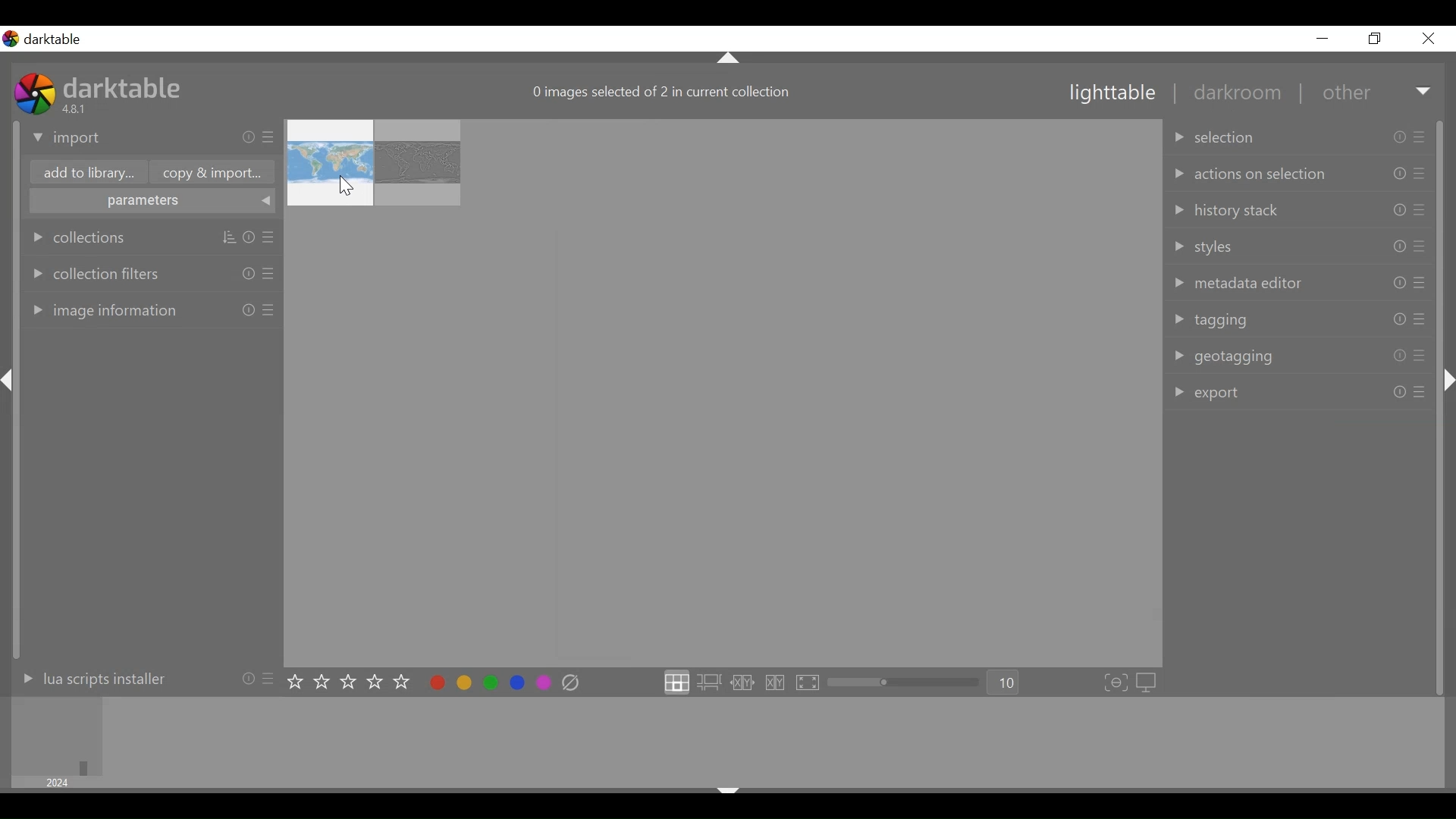 The image size is (1456, 819). What do you see at coordinates (153, 237) in the screenshot?
I see `collections` at bounding box center [153, 237].